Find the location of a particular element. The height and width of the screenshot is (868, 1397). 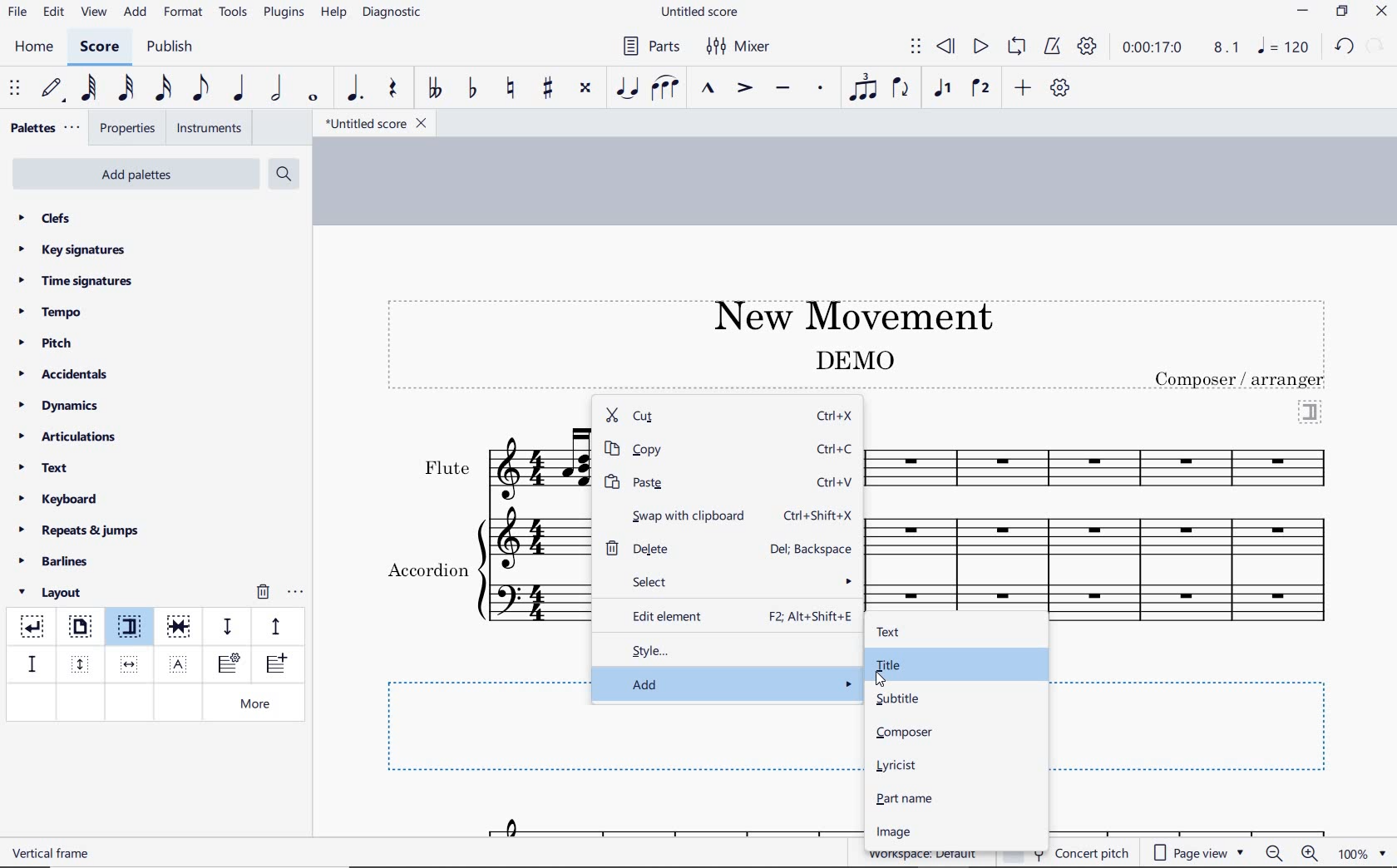

file name is located at coordinates (374, 124).